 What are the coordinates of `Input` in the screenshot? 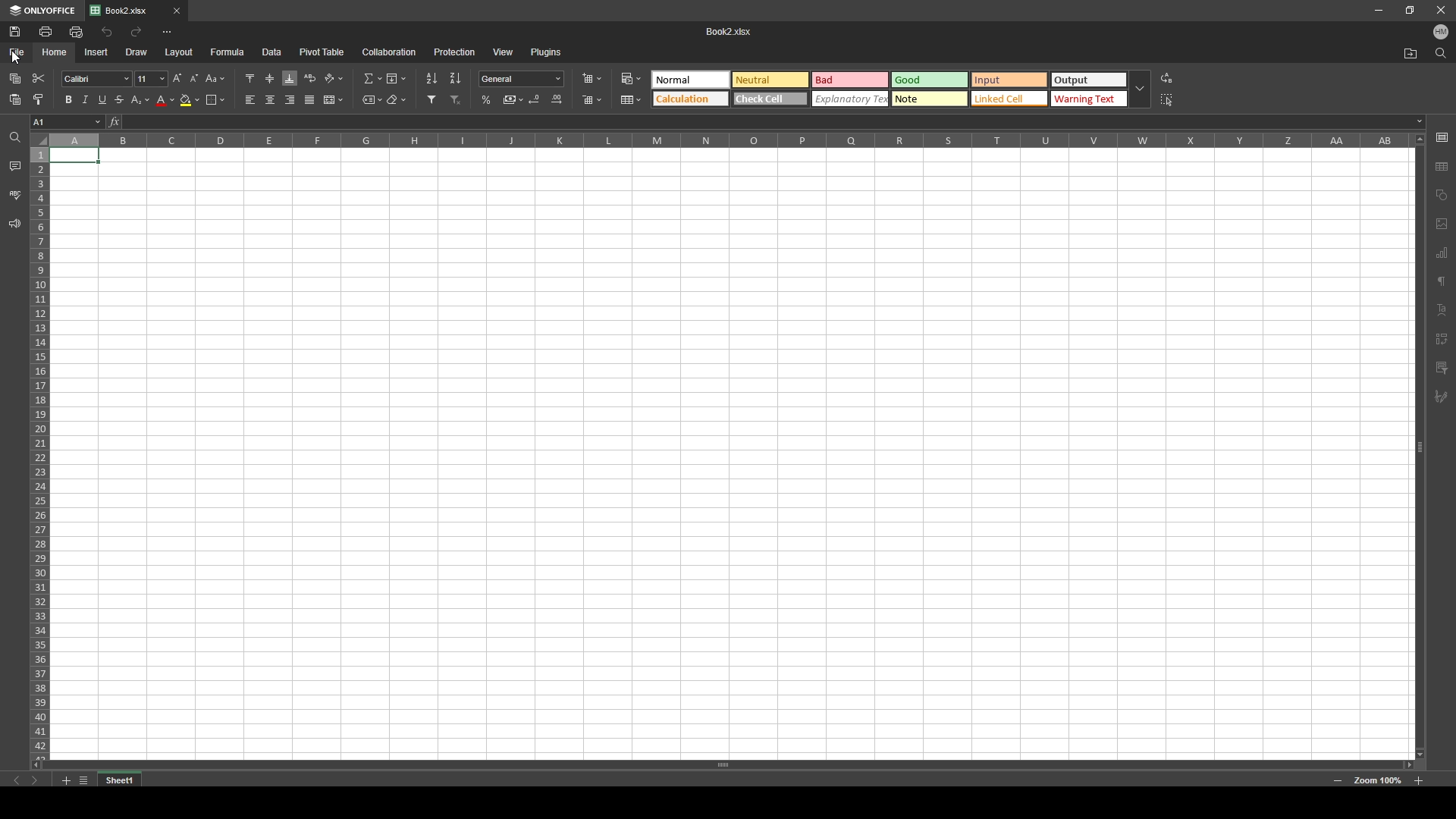 It's located at (1009, 80).